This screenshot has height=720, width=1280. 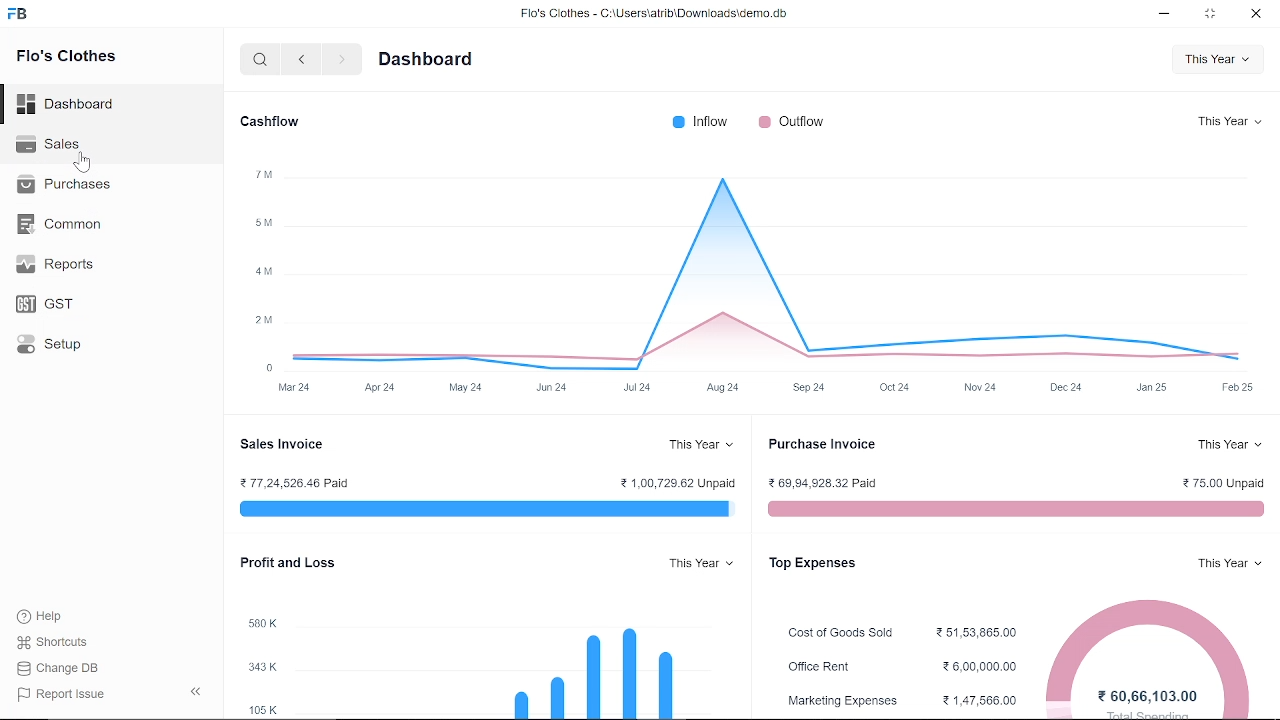 I want to click on 2 69,94,928.32 Paid, so click(x=821, y=484).